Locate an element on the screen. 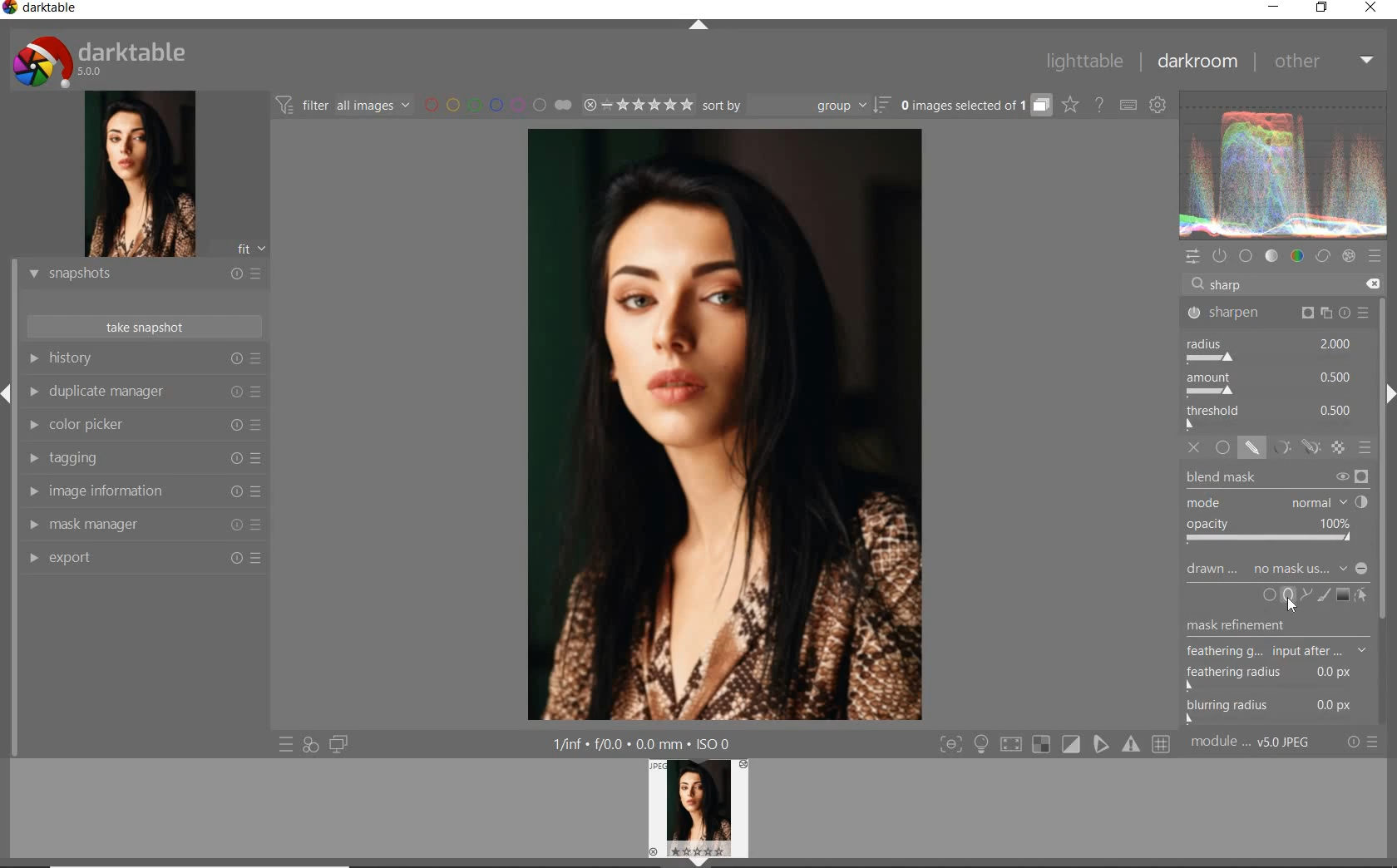 The image size is (1397, 868). quick access panel is located at coordinates (1195, 259).